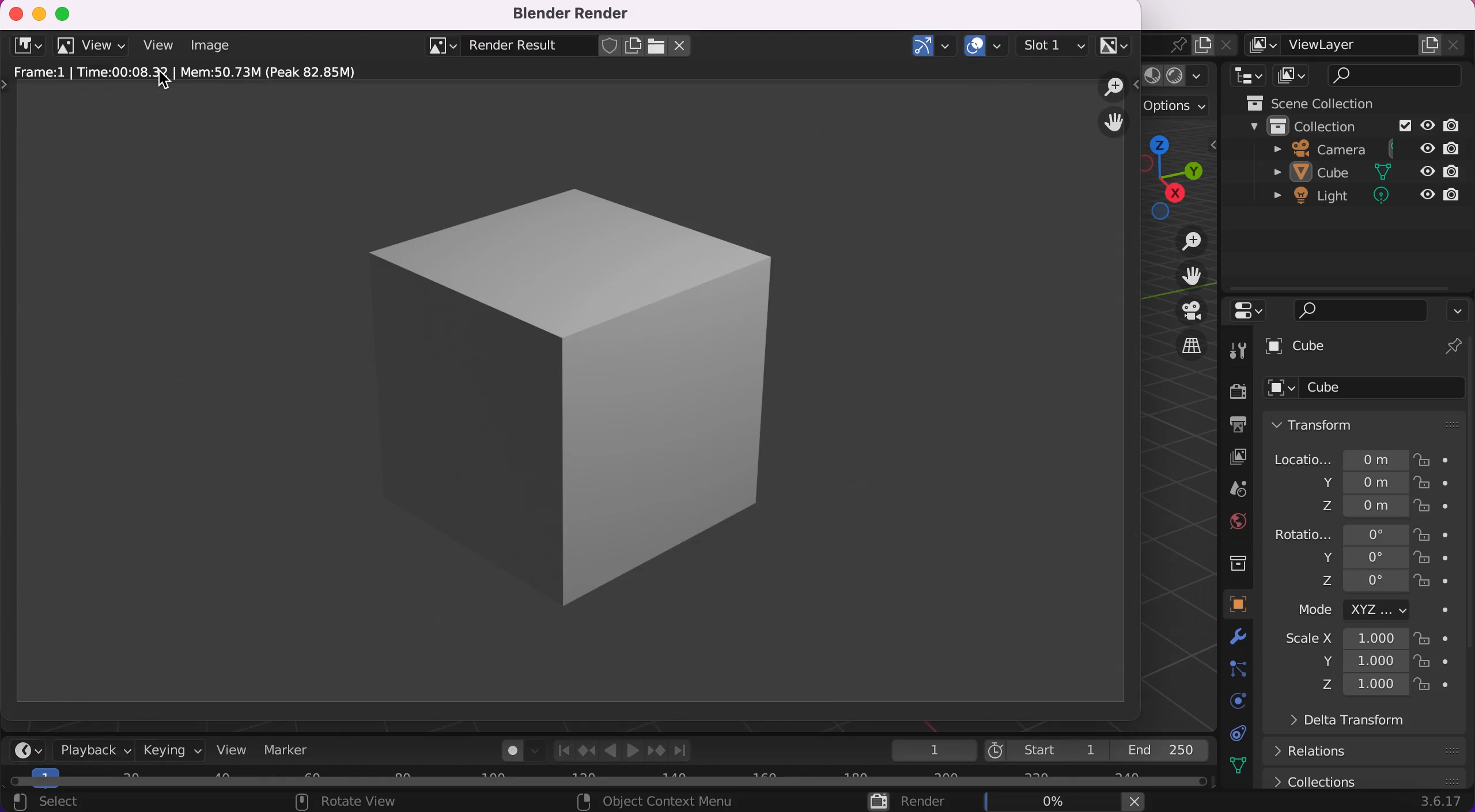 This screenshot has height=812, width=1475. Describe the element at coordinates (1236, 733) in the screenshot. I see `constraints` at that location.